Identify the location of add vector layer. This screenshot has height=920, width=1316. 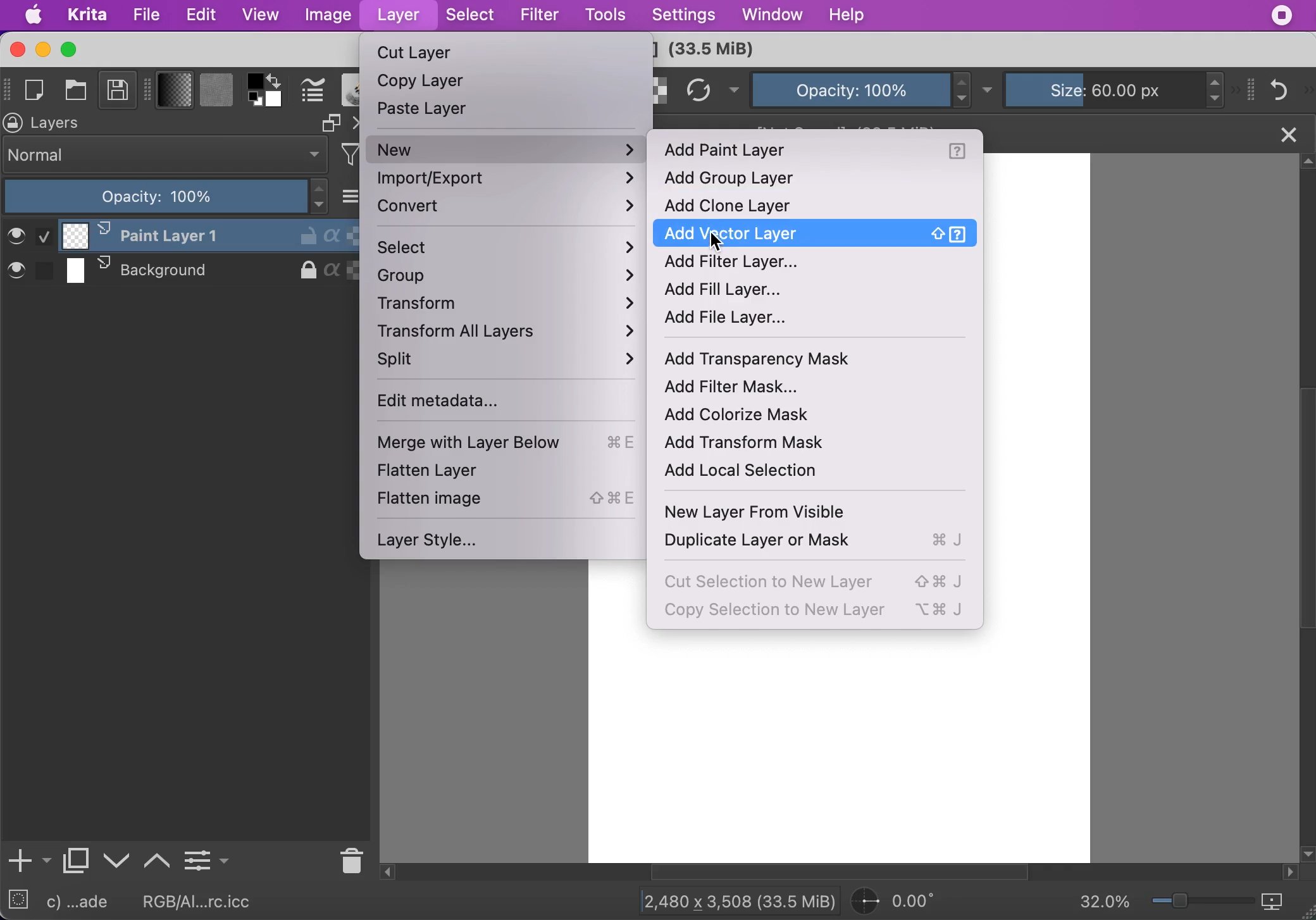
(820, 233).